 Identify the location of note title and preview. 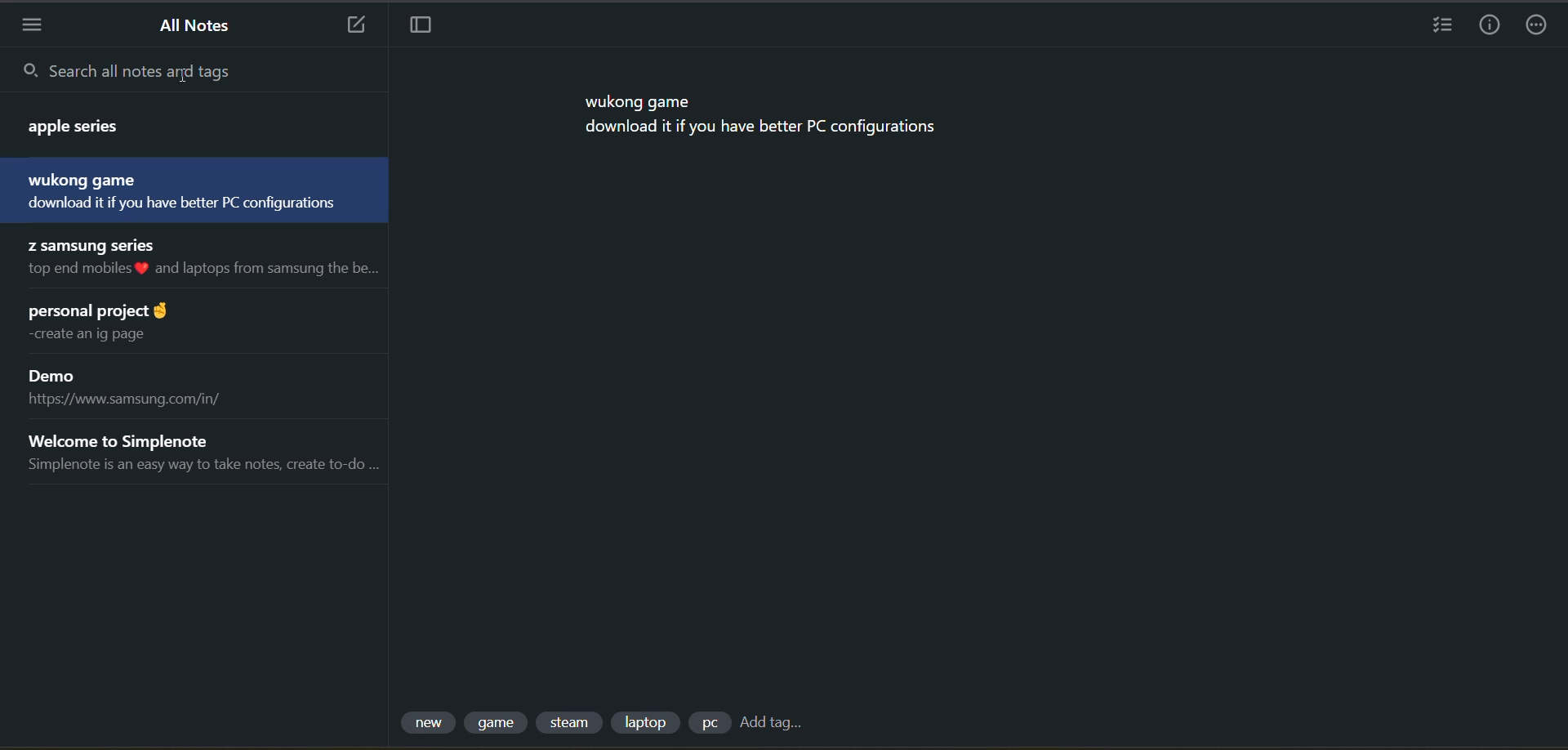
(200, 257).